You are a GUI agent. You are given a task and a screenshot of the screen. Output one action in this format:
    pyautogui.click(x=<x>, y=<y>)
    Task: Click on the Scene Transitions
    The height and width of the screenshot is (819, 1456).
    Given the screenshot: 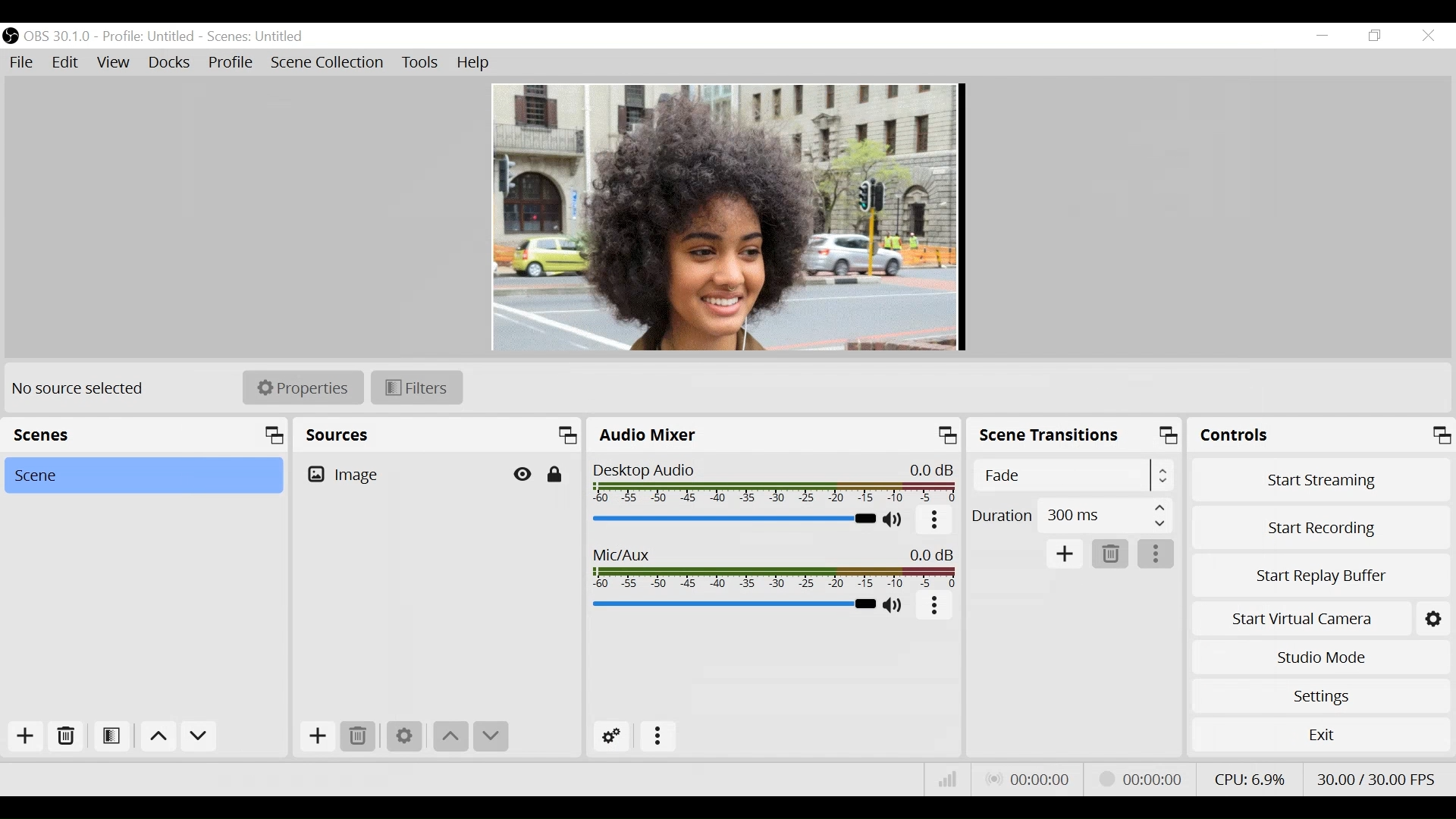 What is the action you would take?
    pyautogui.click(x=1072, y=435)
    